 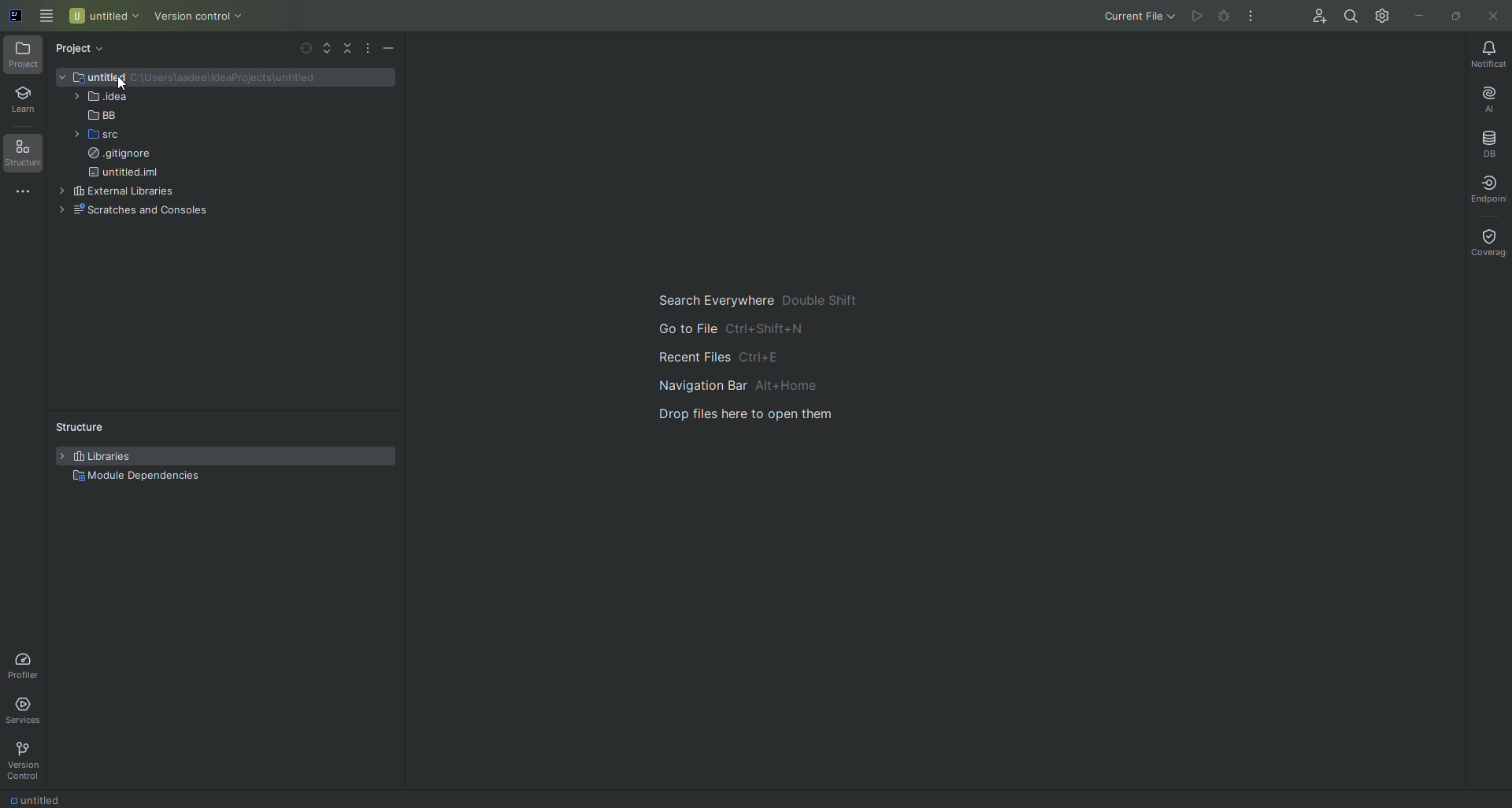 I want to click on untitled.iml, so click(x=128, y=173).